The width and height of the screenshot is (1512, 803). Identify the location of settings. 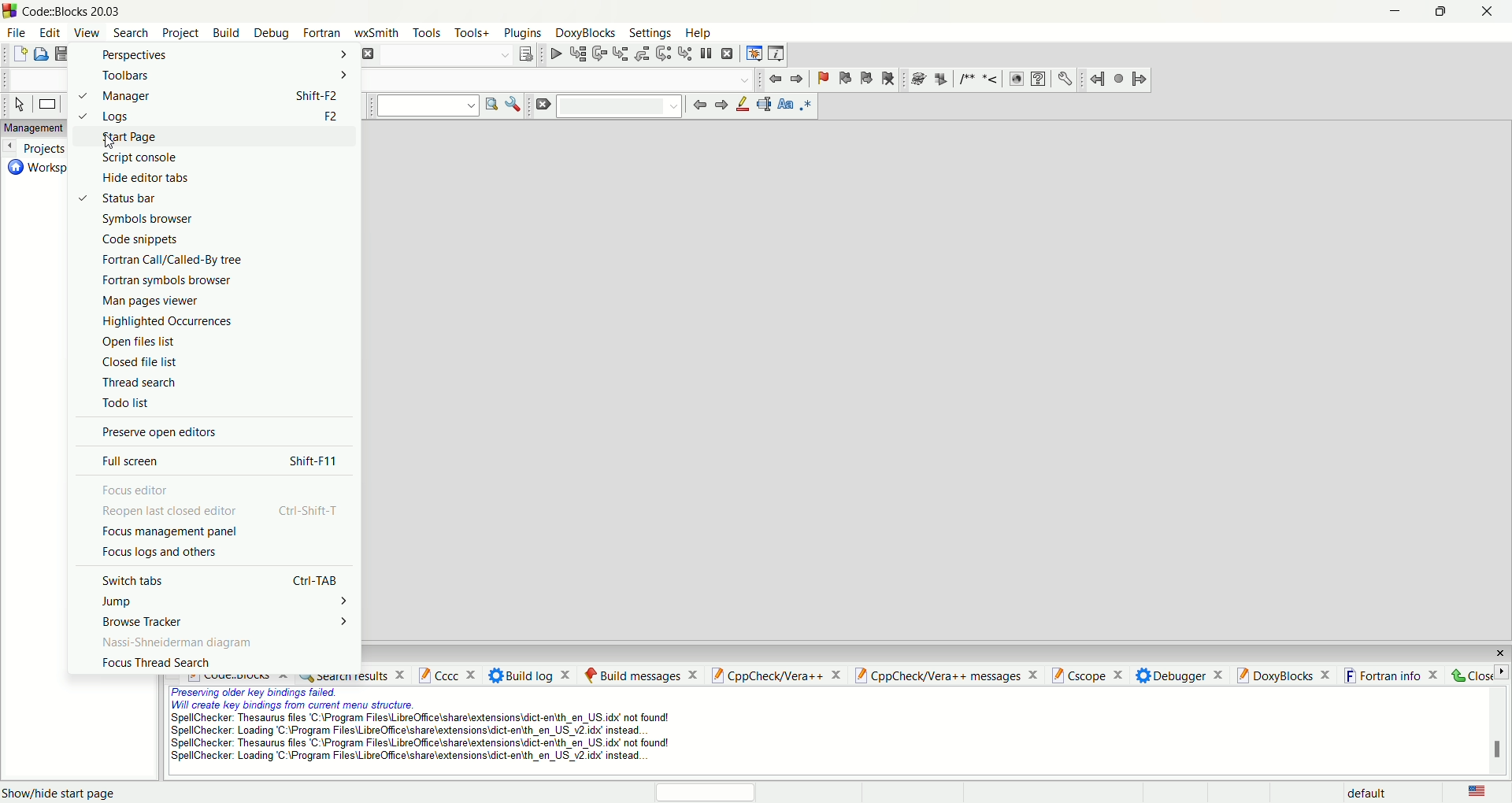
(1064, 78).